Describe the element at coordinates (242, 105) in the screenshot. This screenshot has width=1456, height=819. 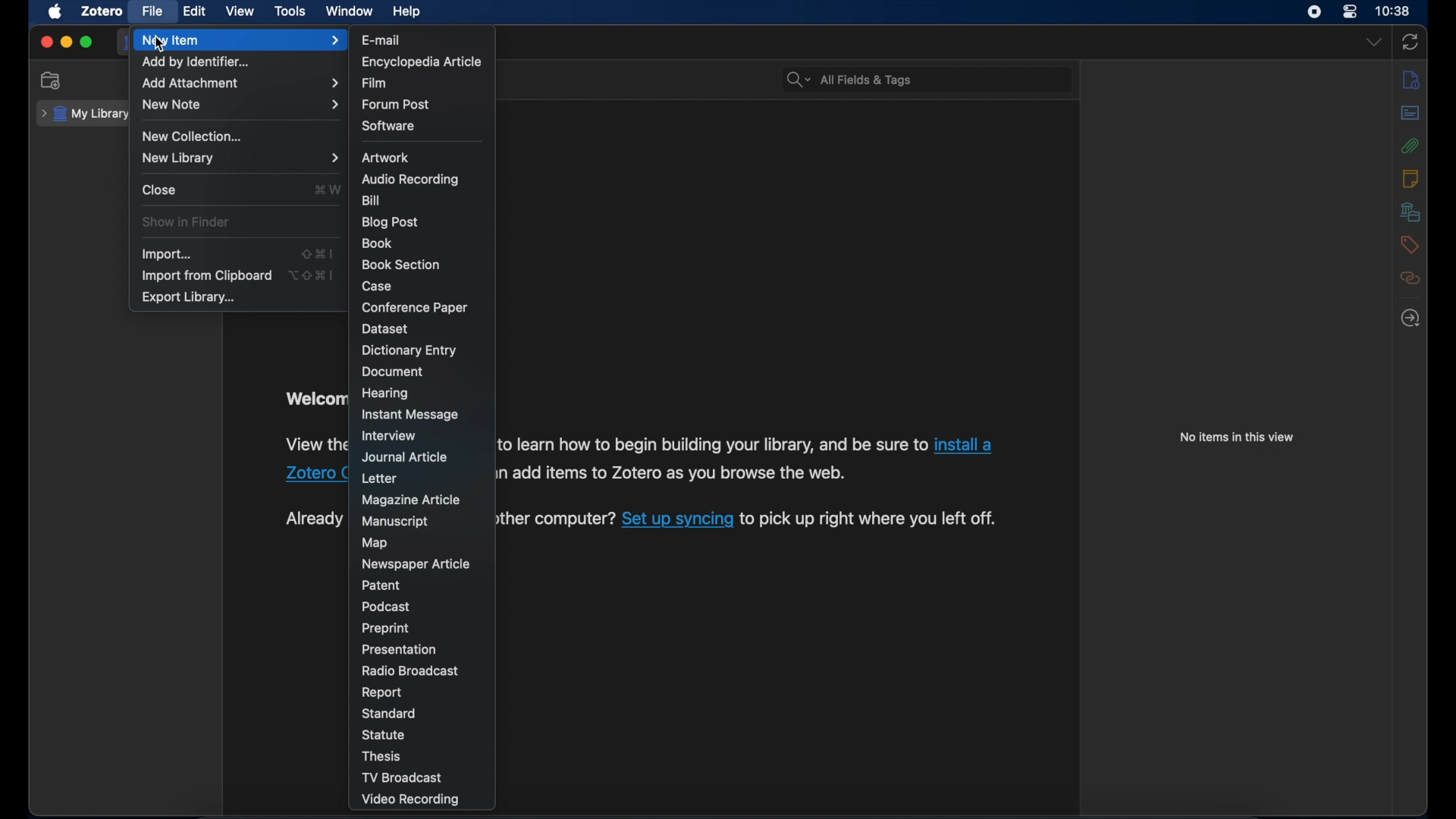
I see `new note` at that location.